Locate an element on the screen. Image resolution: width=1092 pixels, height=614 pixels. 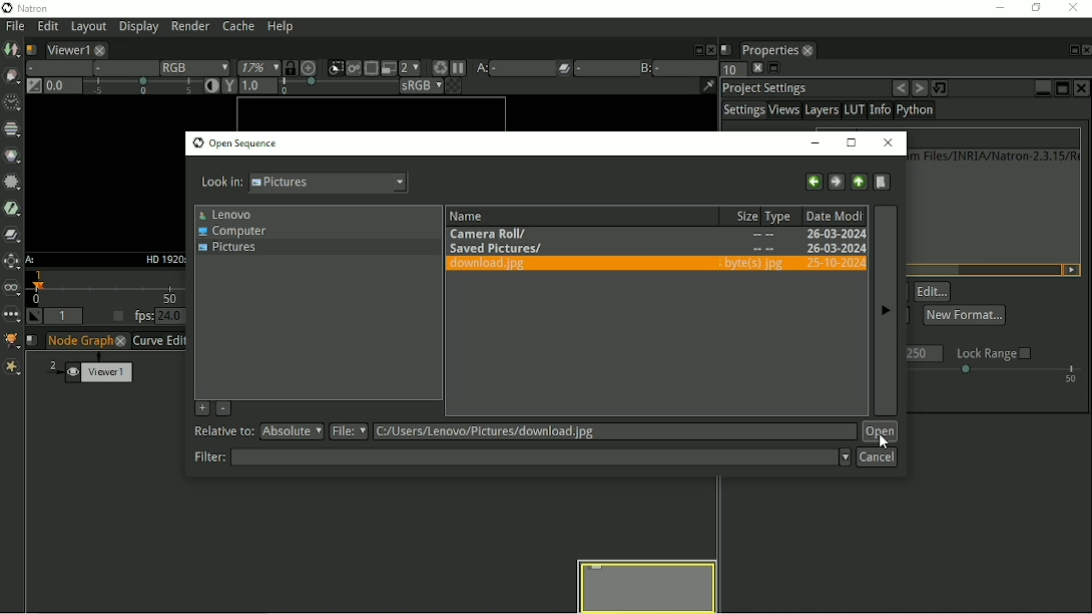
Open sequence is located at coordinates (235, 143).